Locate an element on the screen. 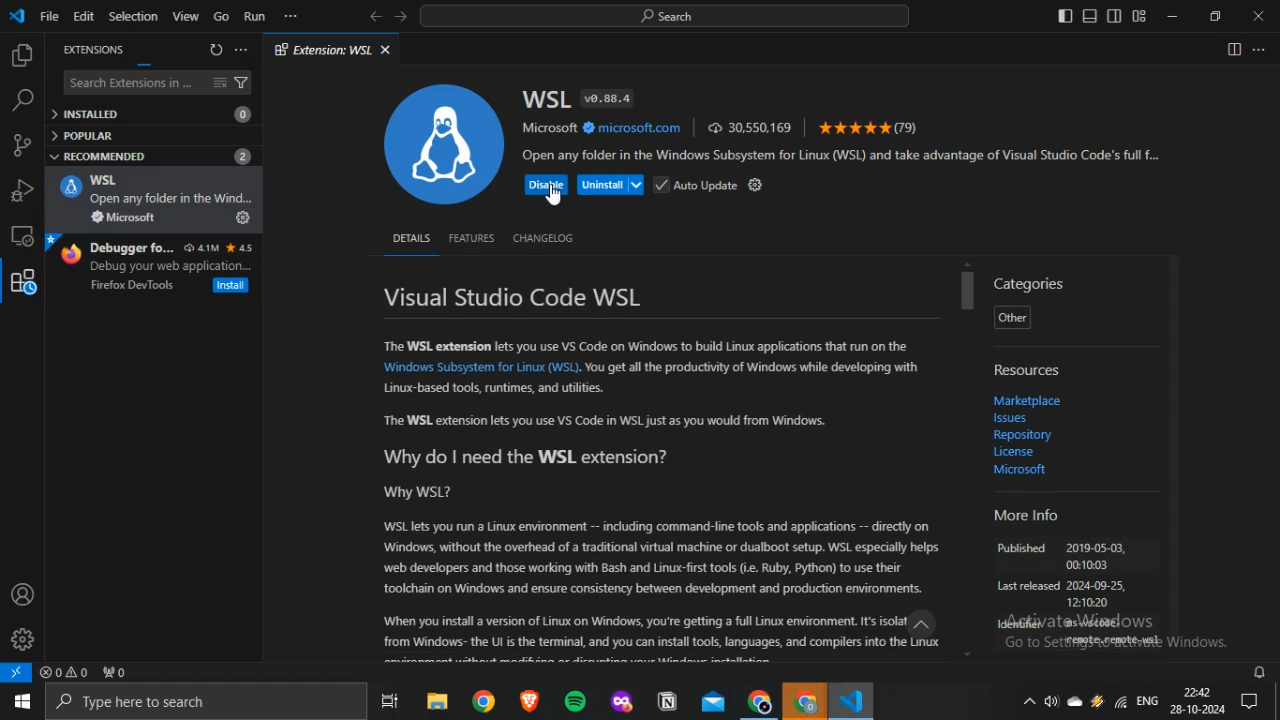 The width and height of the screenshot is (1280, 720). (79) is located at coordinates (869, 127).